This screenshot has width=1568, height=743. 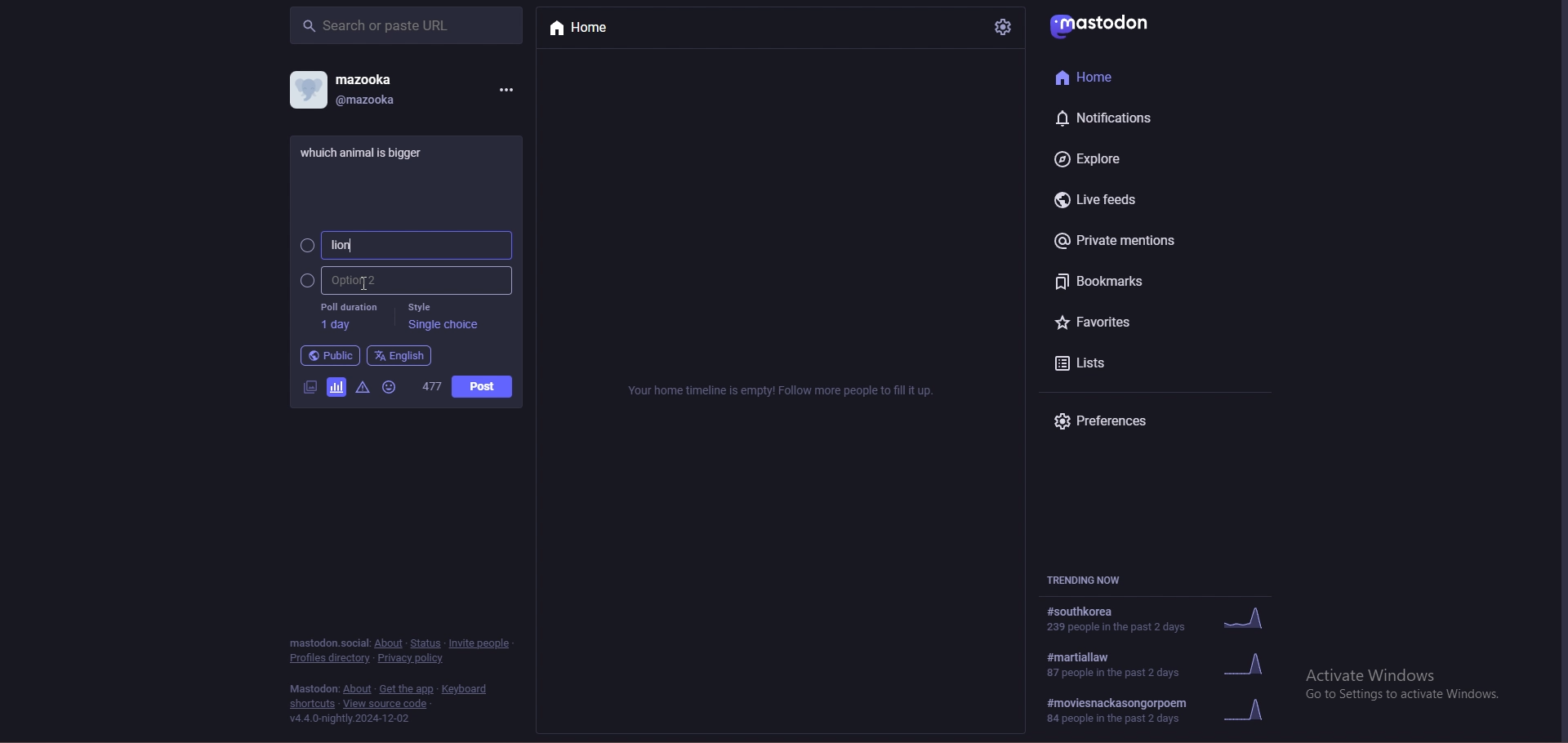 What do you see at coordinates (367, 78) in the screenshot?
I see `mazooka` at bounding box center [367, 78].